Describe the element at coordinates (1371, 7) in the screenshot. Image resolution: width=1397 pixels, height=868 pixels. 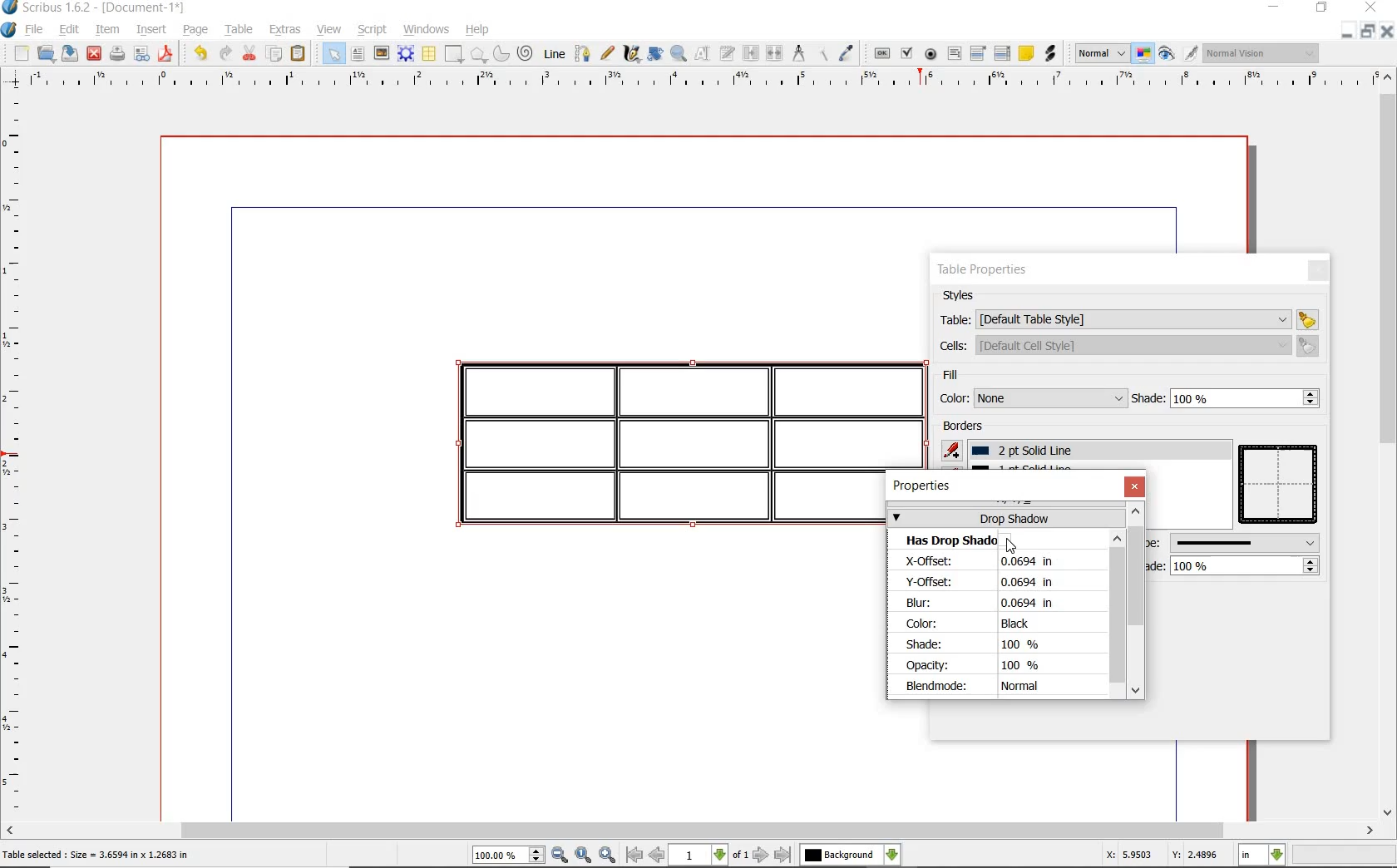
I see `CLOSE` at that location.